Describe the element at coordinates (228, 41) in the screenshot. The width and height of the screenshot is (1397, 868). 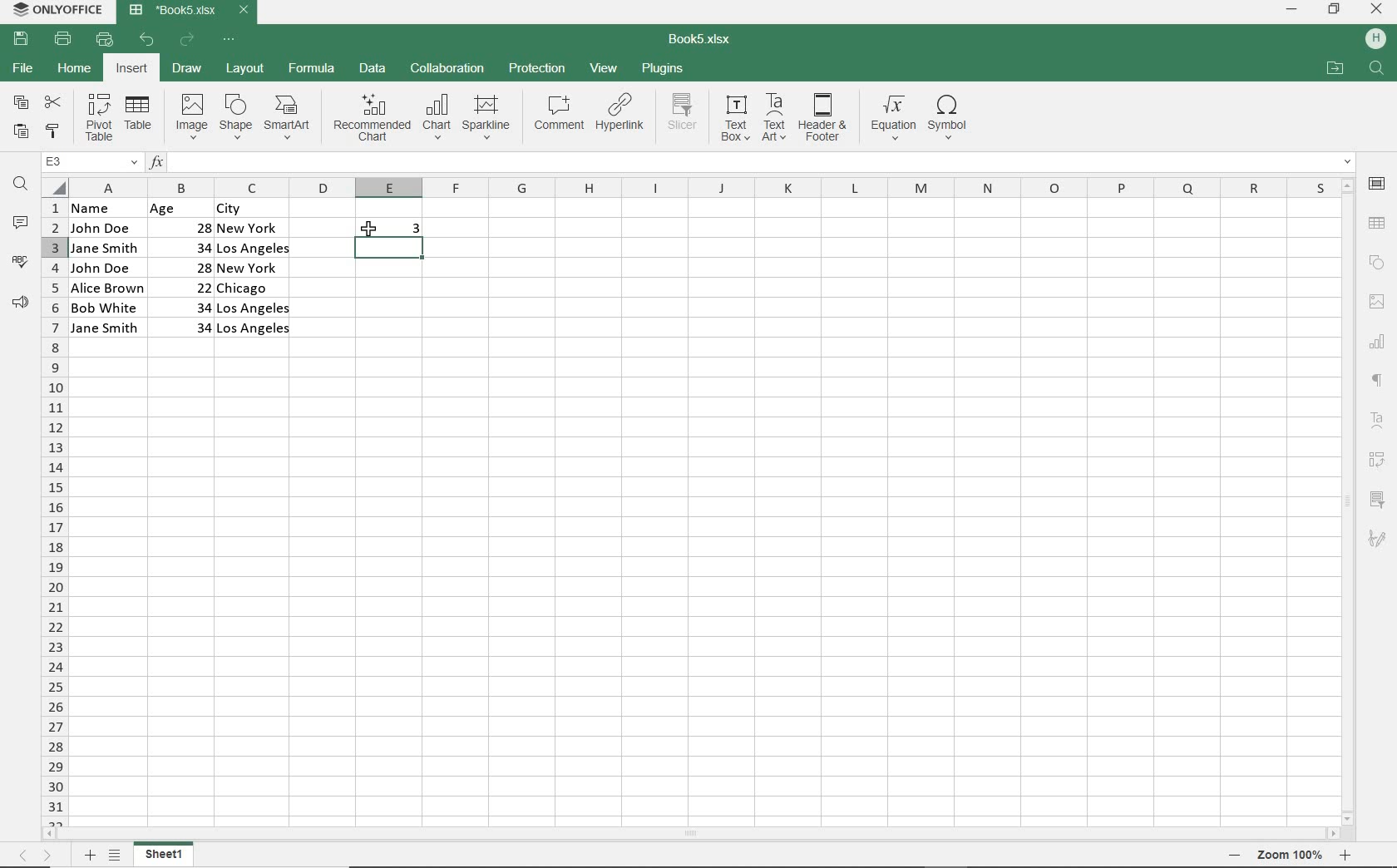
I see `CUSTOMIZE QUICK ACCESS TOOLBAR` at that location.